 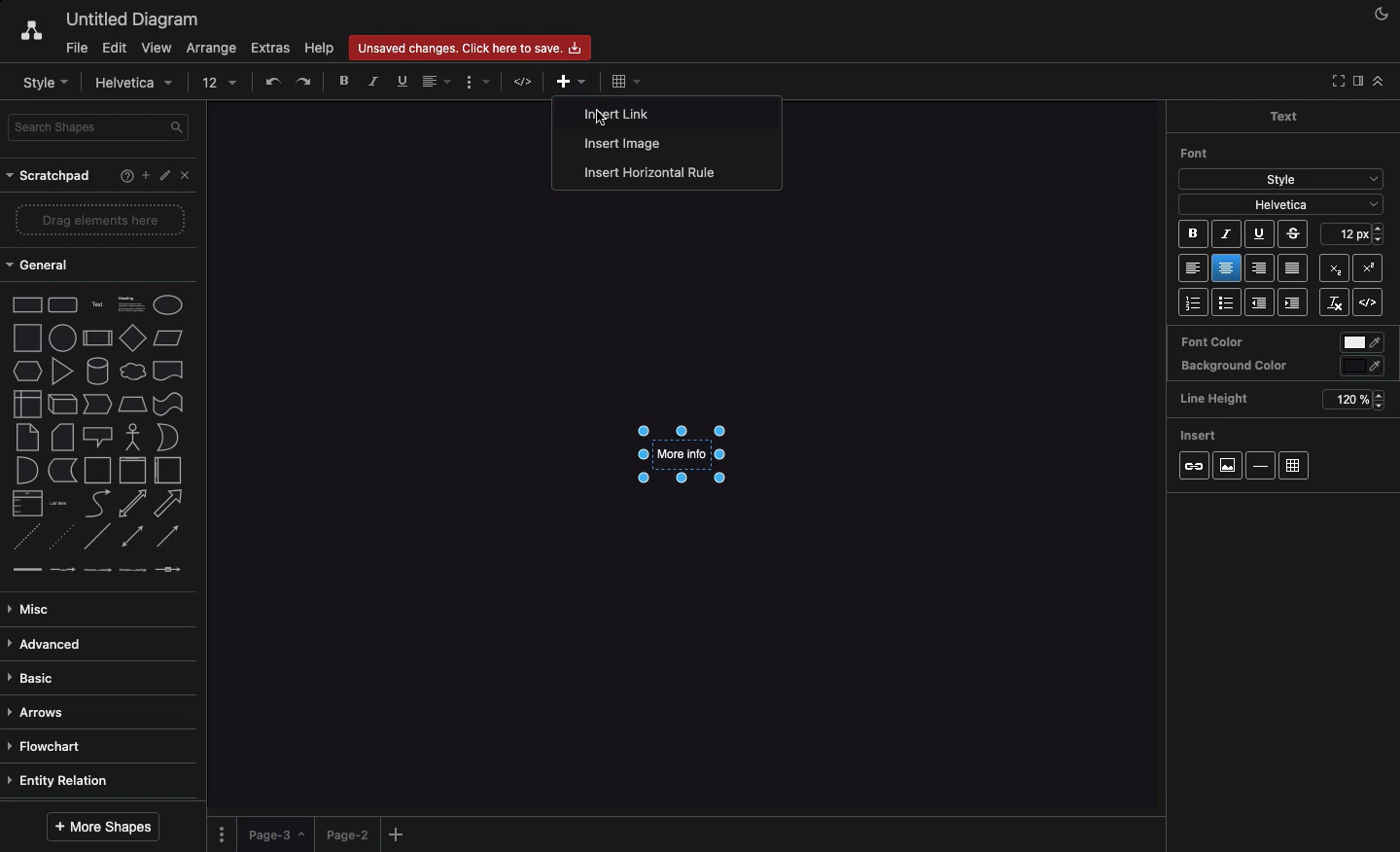 I want to click on Remove link, so click(x=1334, y=302).